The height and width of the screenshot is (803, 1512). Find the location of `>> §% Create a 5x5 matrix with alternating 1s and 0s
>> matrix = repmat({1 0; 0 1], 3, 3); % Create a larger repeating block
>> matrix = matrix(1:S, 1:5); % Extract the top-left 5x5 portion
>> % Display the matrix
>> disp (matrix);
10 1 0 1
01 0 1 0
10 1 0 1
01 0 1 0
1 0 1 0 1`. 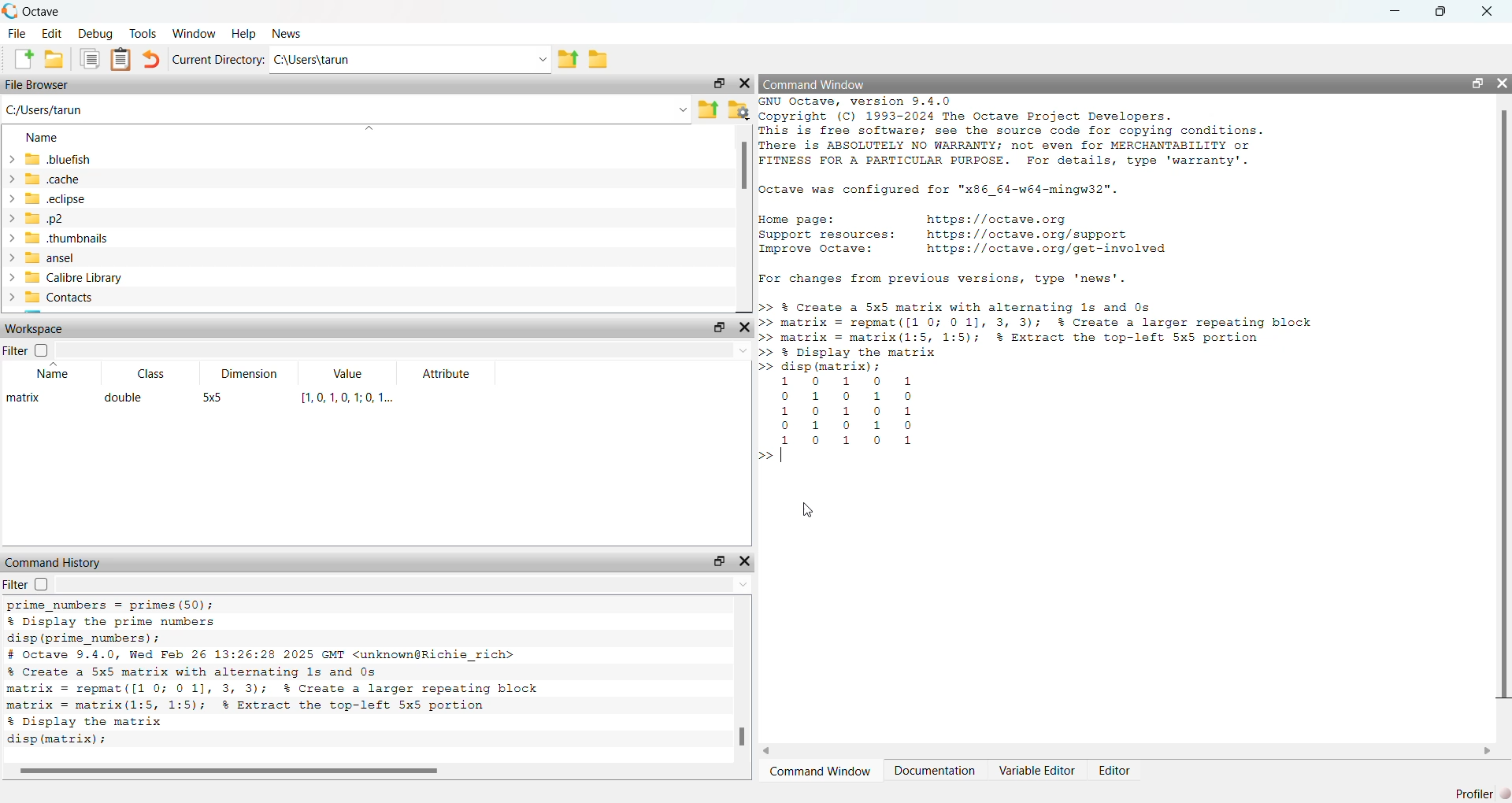

>> §% Create a 5x5 matrix with alternating 1s and 0s
>> matrix = repmat({1 0; 0 1], 3, 3); % Create a larger repeating block
>> matrix = matrix(1:S, 1:5); % Extract the top-left 5x5 portion
>> % Display the matrix
>> disp (matrix);
10 1 0 1
01 0 1 0
10 1 0 1
01 0 1 0
1 0 1 0 1 is located at coordinates (1039, 372).